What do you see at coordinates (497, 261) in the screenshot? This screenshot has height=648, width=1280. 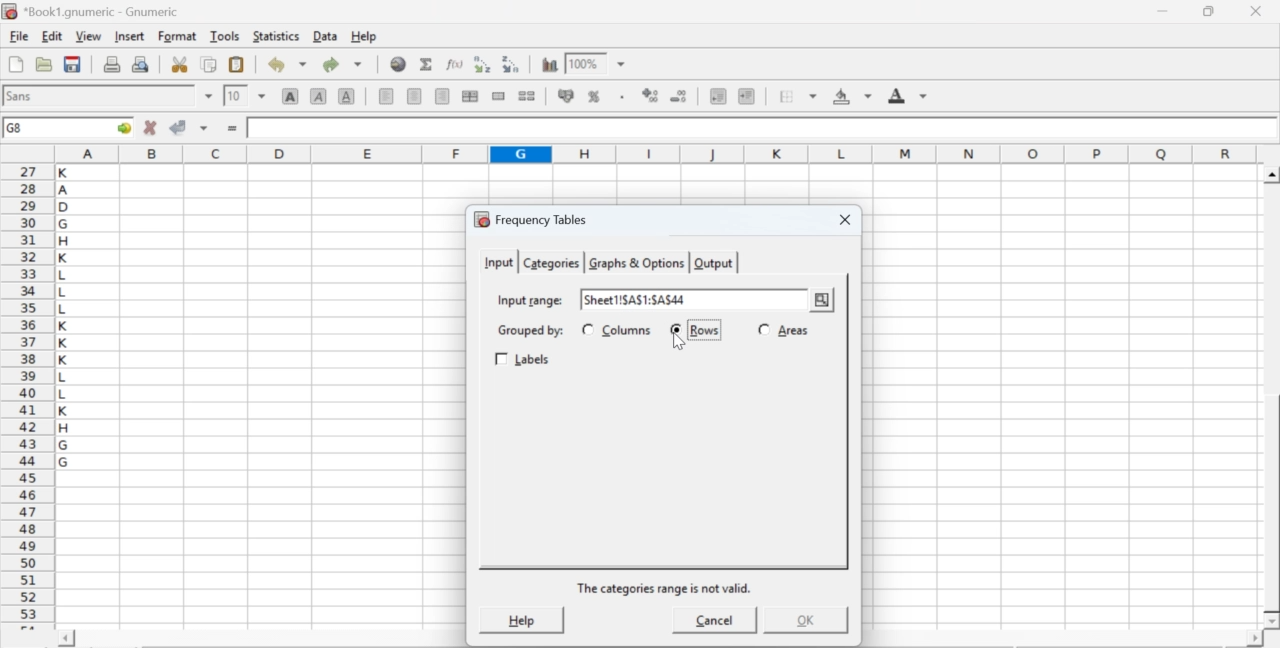 I see `input` at bounding box center [497, 261].